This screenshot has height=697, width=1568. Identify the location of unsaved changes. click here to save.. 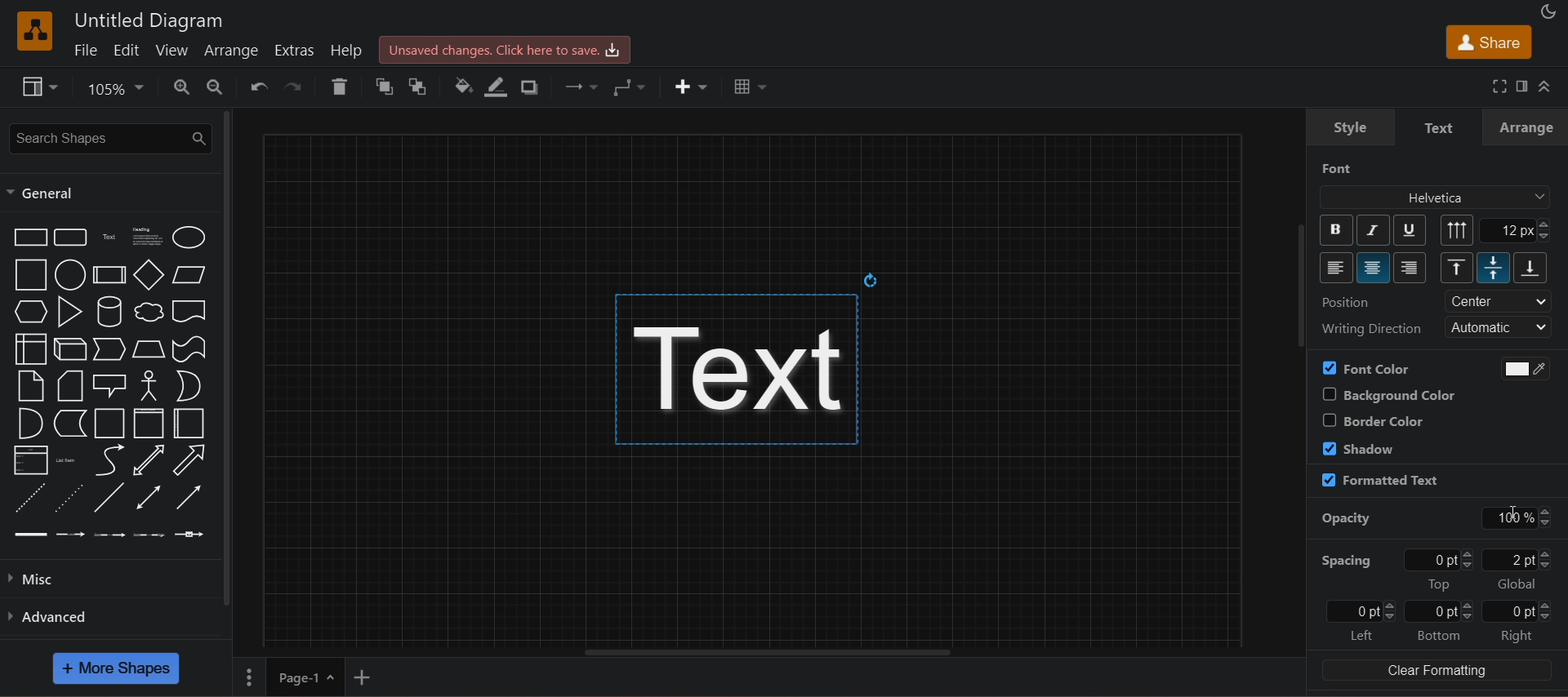
(506, 50).